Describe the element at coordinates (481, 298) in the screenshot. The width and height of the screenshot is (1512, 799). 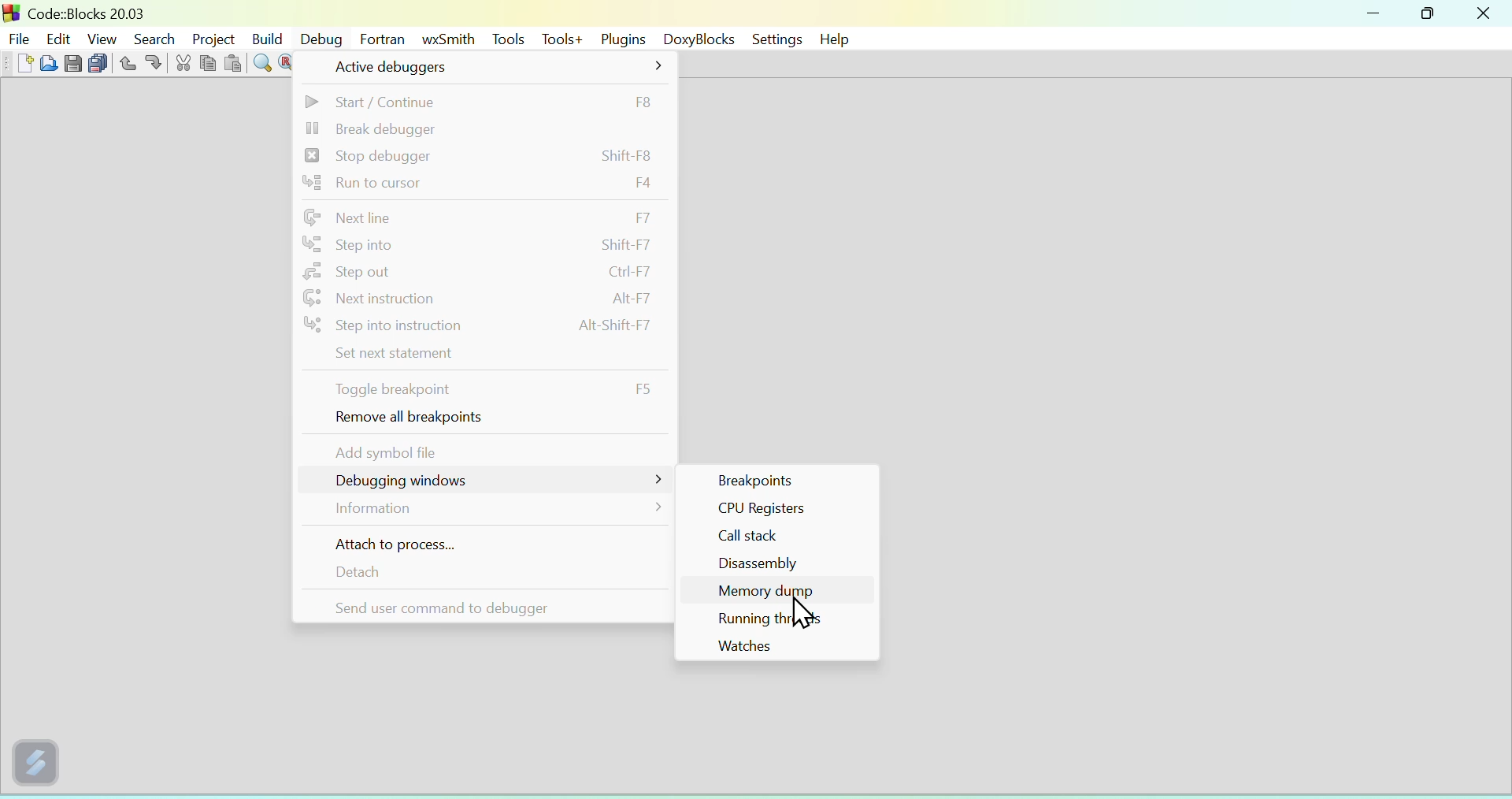
I see `next instruction` at that location.